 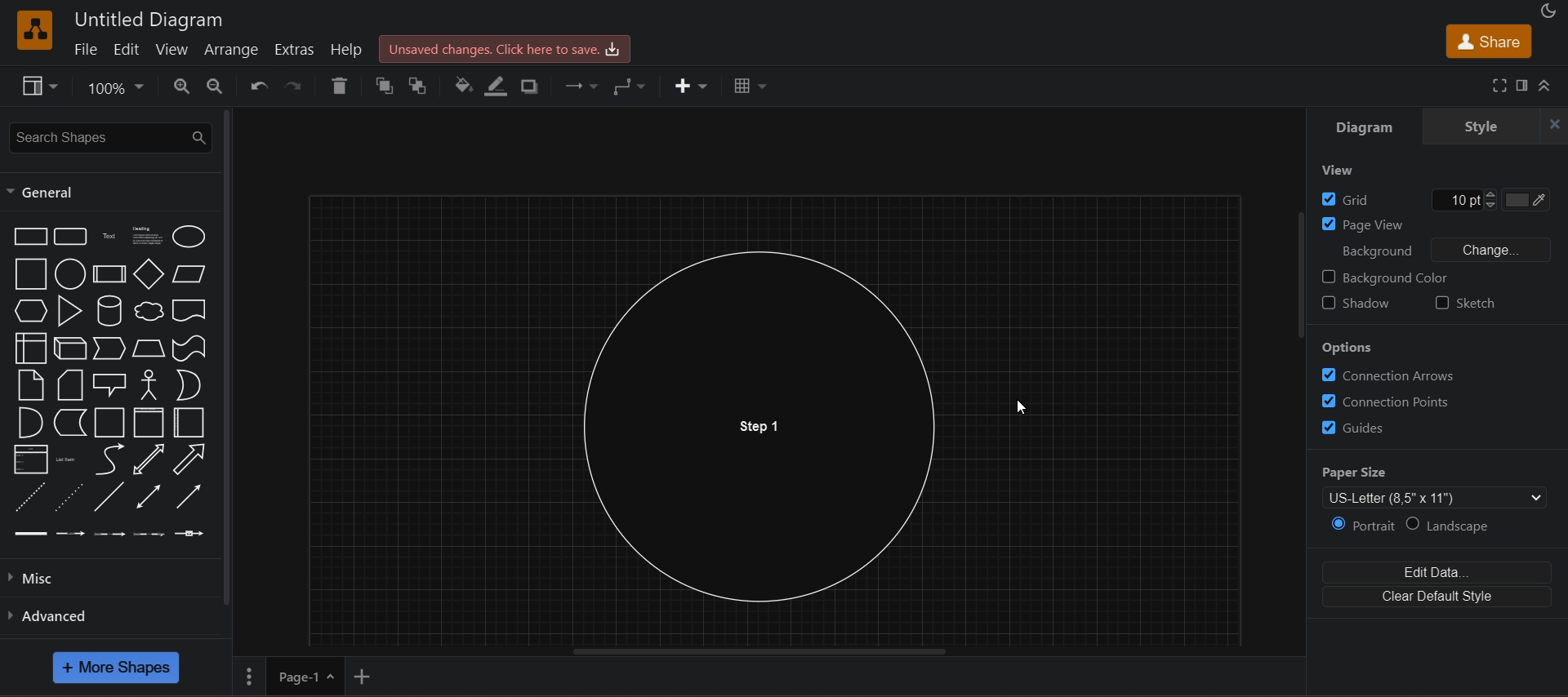 What do you see at coordinates (192, 309) in the screenshot?
I see `document` at bounding box center [192, 309].